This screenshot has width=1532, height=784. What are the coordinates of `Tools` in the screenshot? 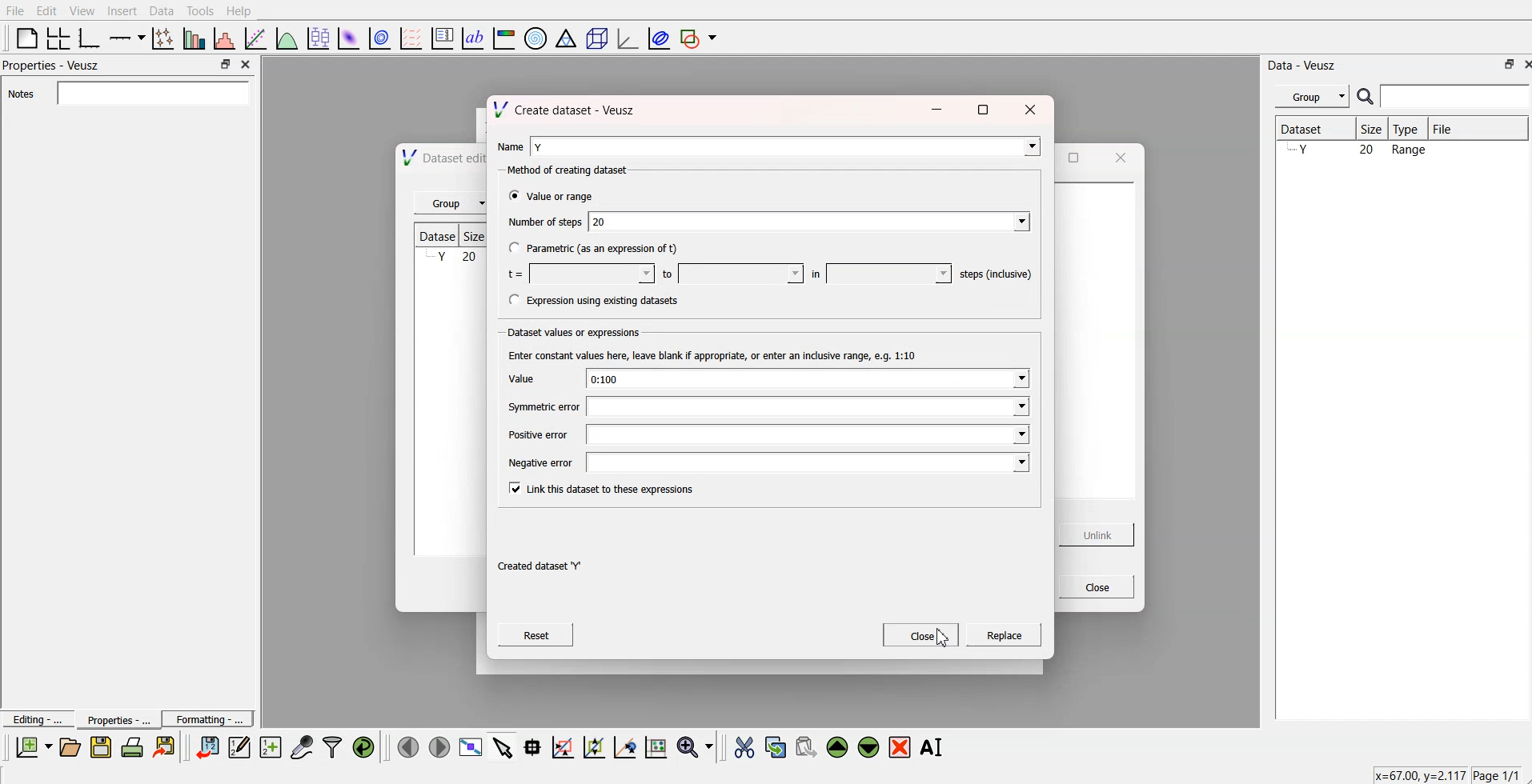 It's located at (200, 11).